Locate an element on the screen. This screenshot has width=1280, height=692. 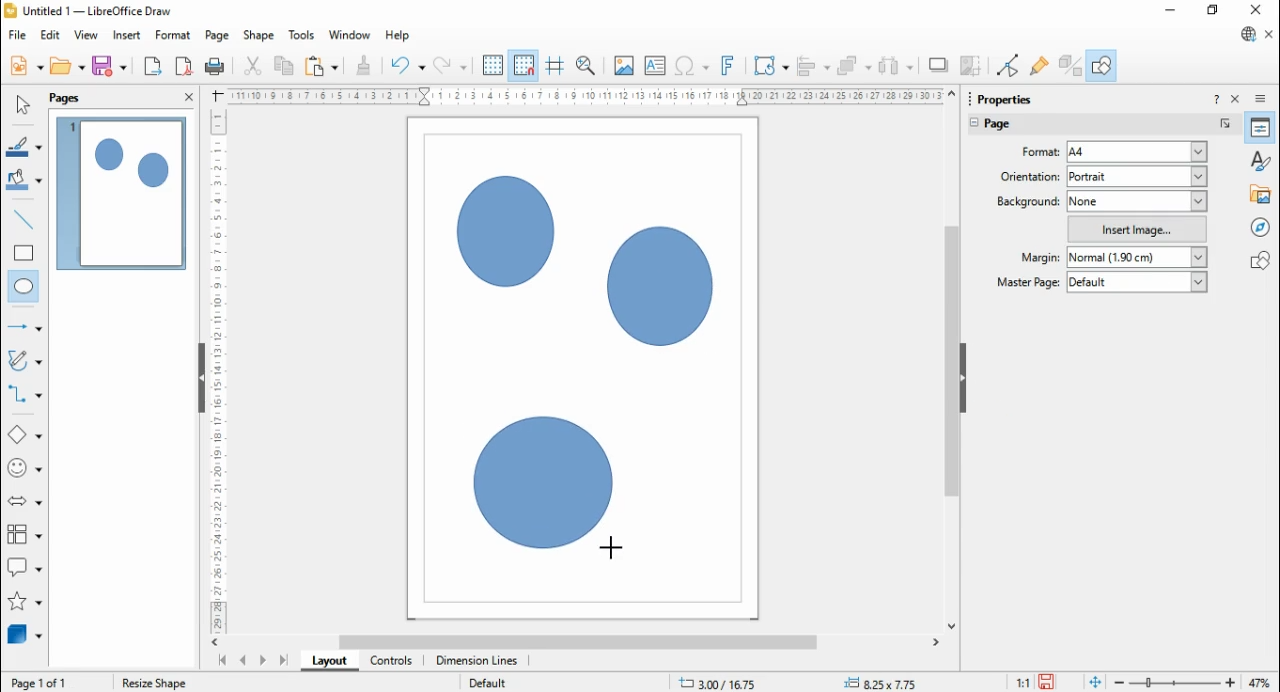
fir page to current window is located at coordinates (1095, 682).